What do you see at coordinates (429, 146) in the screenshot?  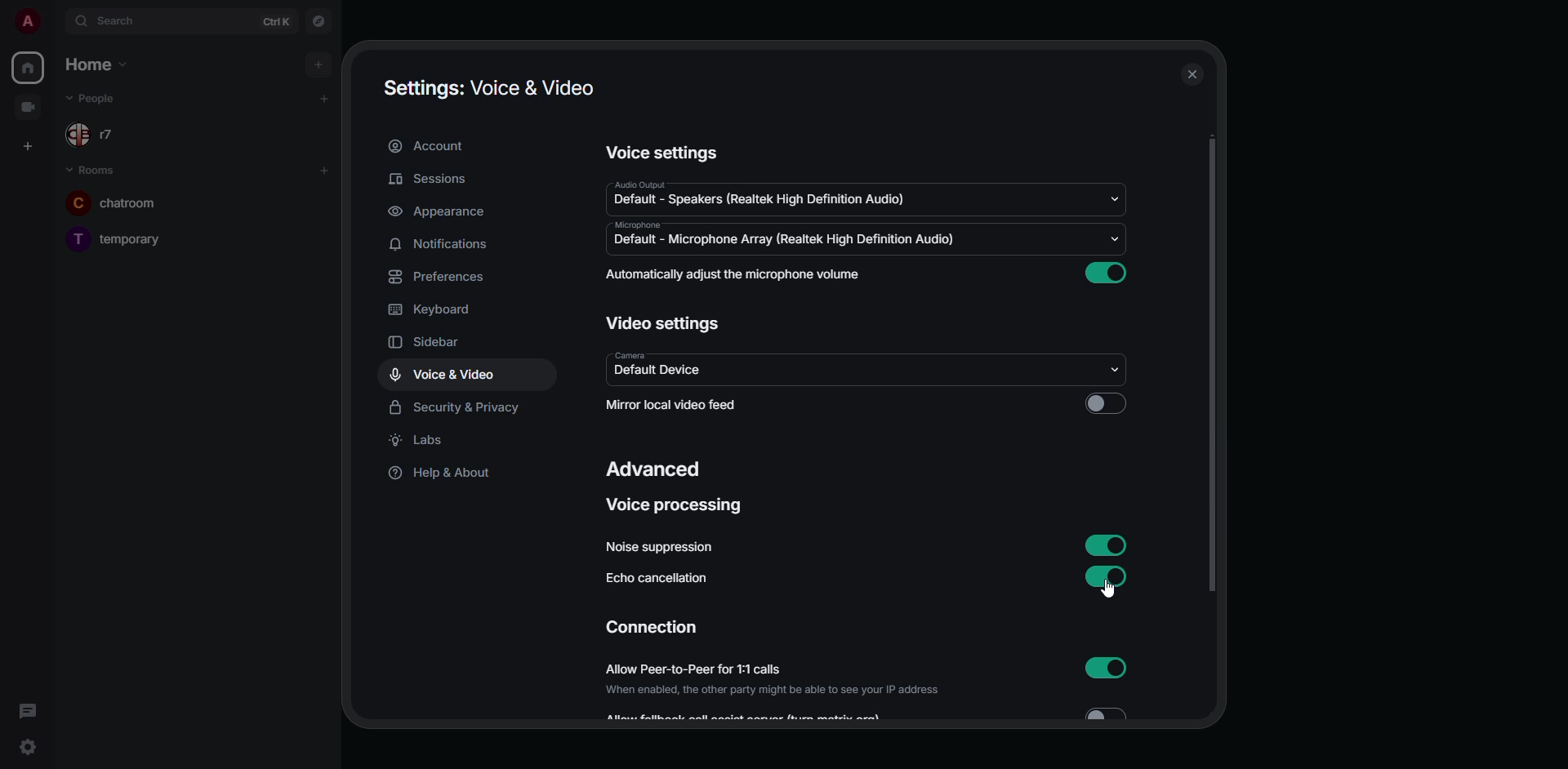 I see `account` at bounding box center [429, 146].